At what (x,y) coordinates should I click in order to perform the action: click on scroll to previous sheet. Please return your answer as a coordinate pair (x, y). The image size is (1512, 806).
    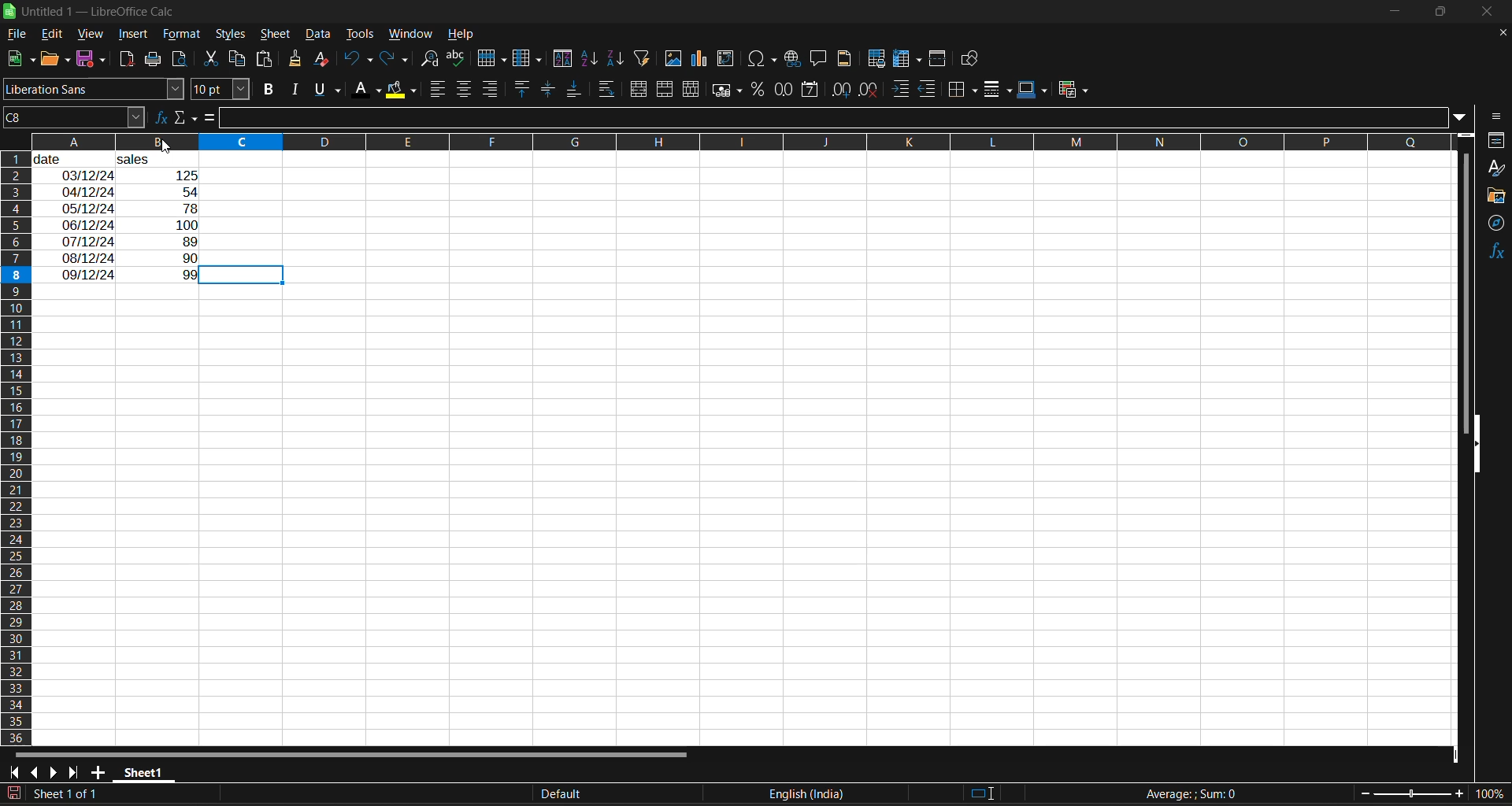
    Looking at the image, I should click on (32, 771).